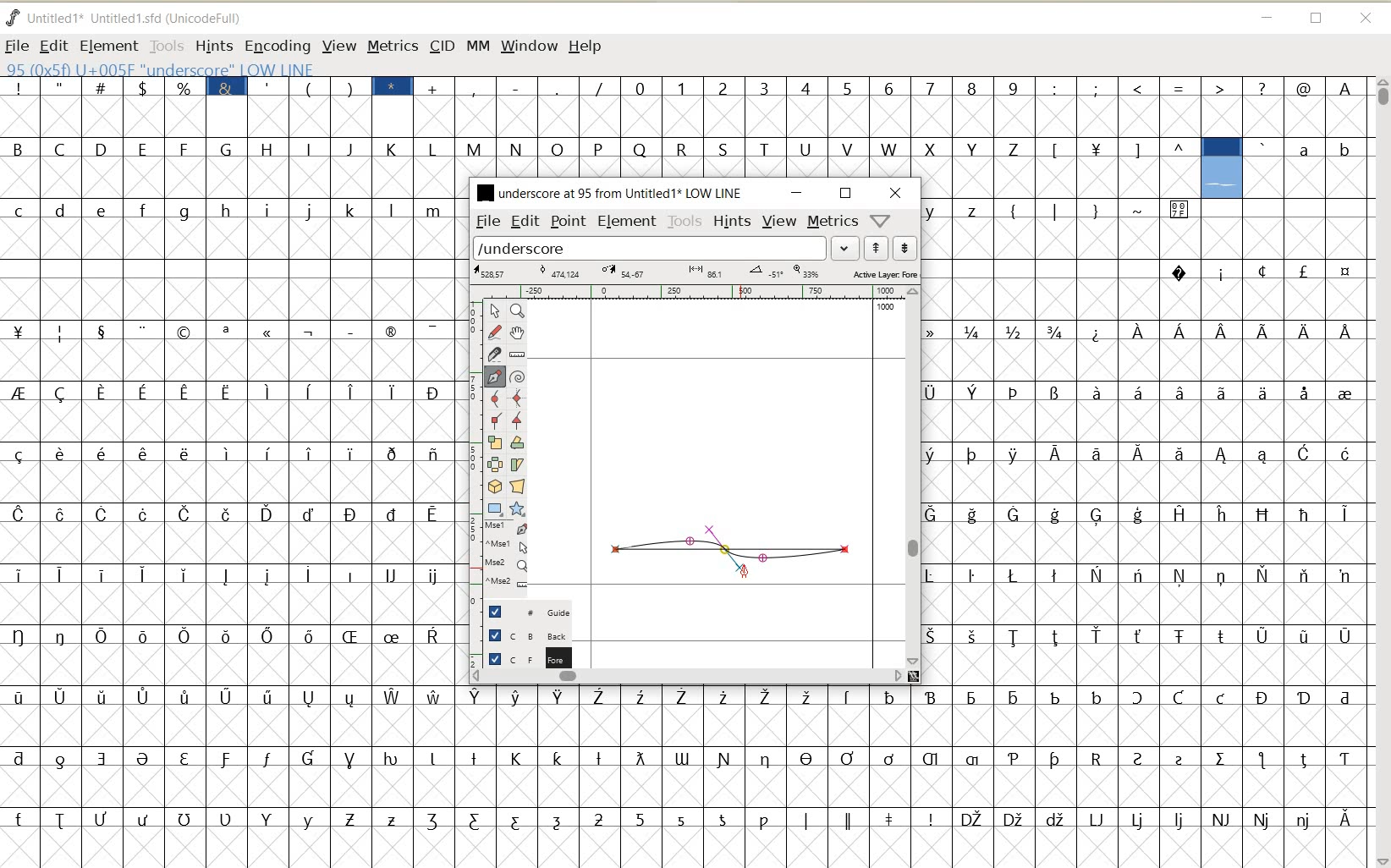 The width and height of the screenshot is (1391, 868). I want to click on cursor events on the opened outline window, so click(507, 556).